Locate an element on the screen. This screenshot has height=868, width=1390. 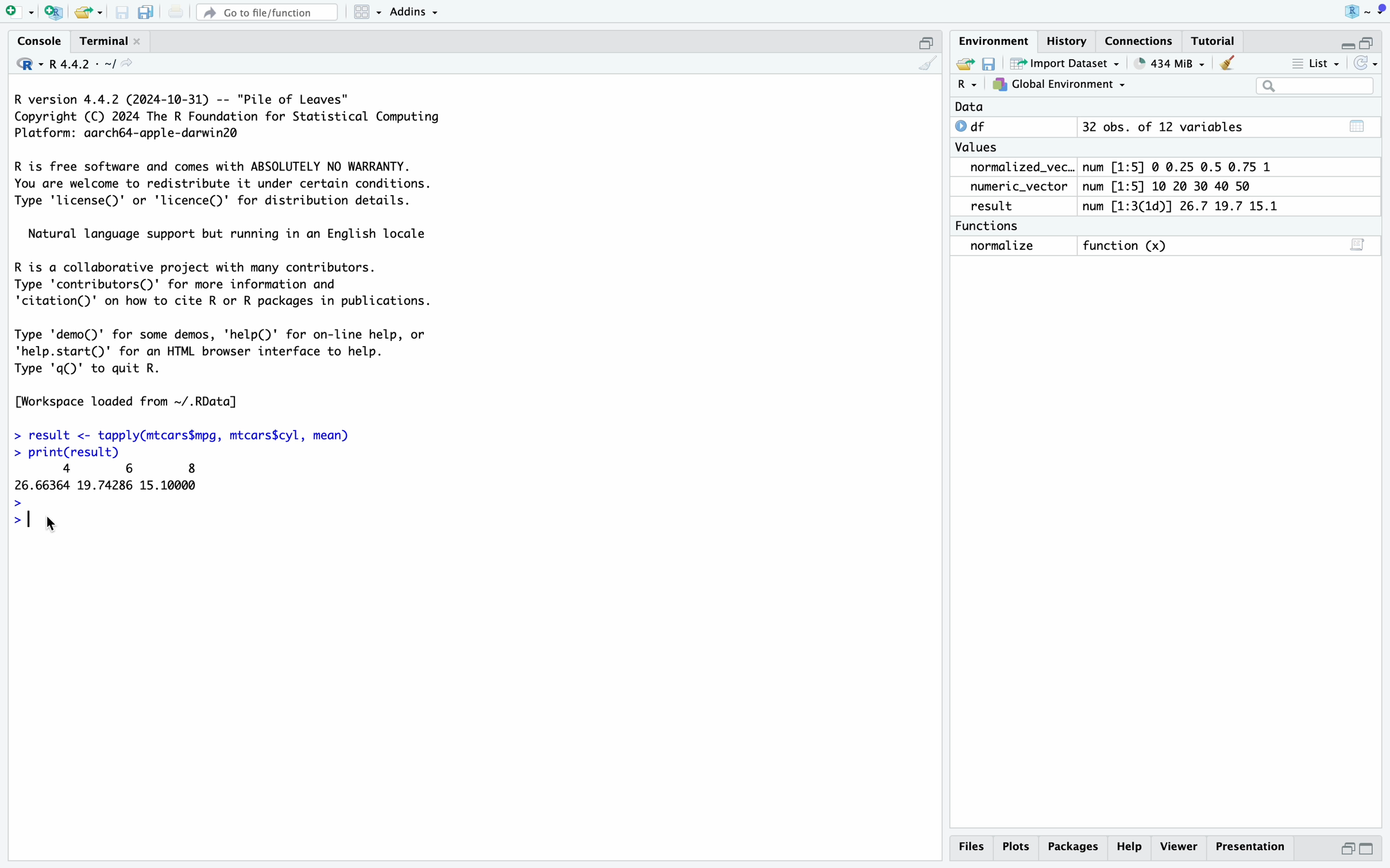
Connections is located at coordinates (1140, 40).